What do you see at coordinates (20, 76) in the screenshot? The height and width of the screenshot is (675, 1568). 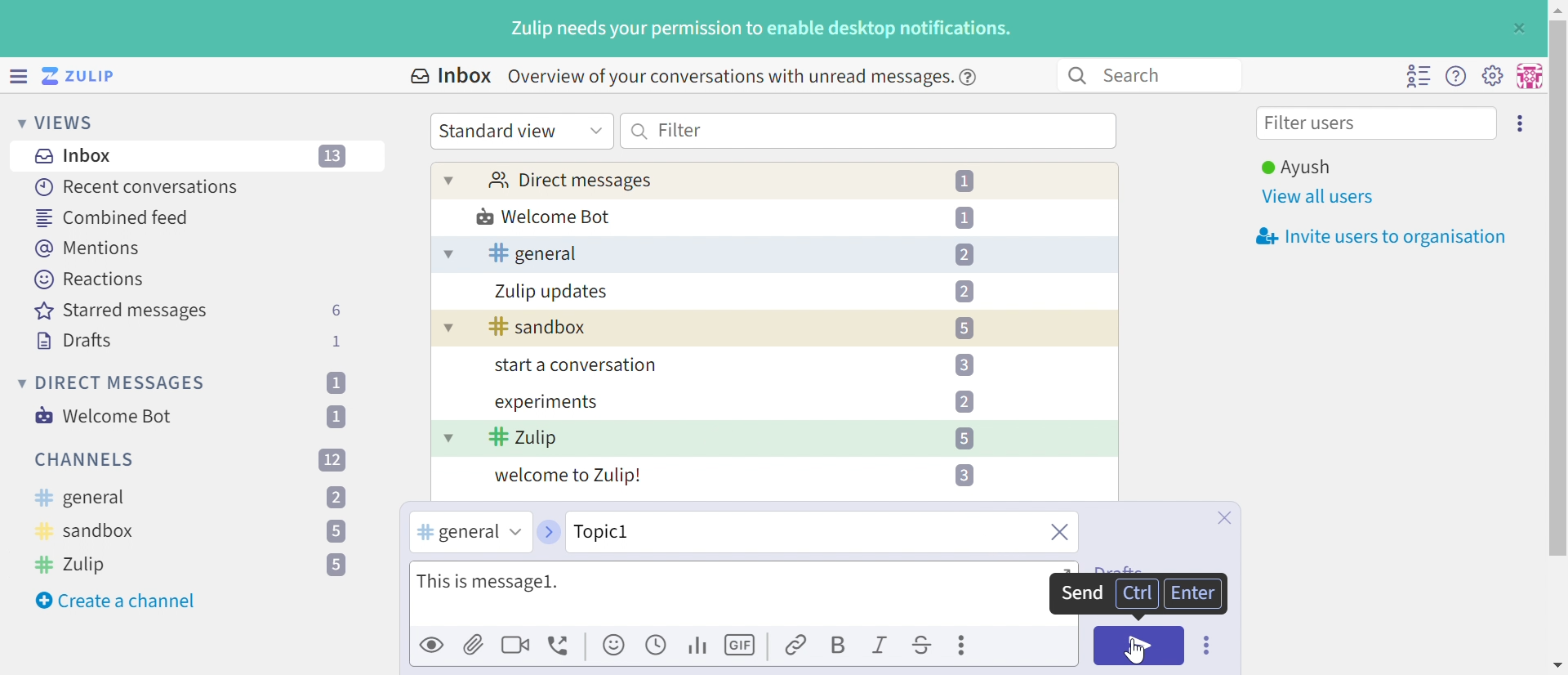 I see `Hide left sidebar` at bounding box center [20, 76].